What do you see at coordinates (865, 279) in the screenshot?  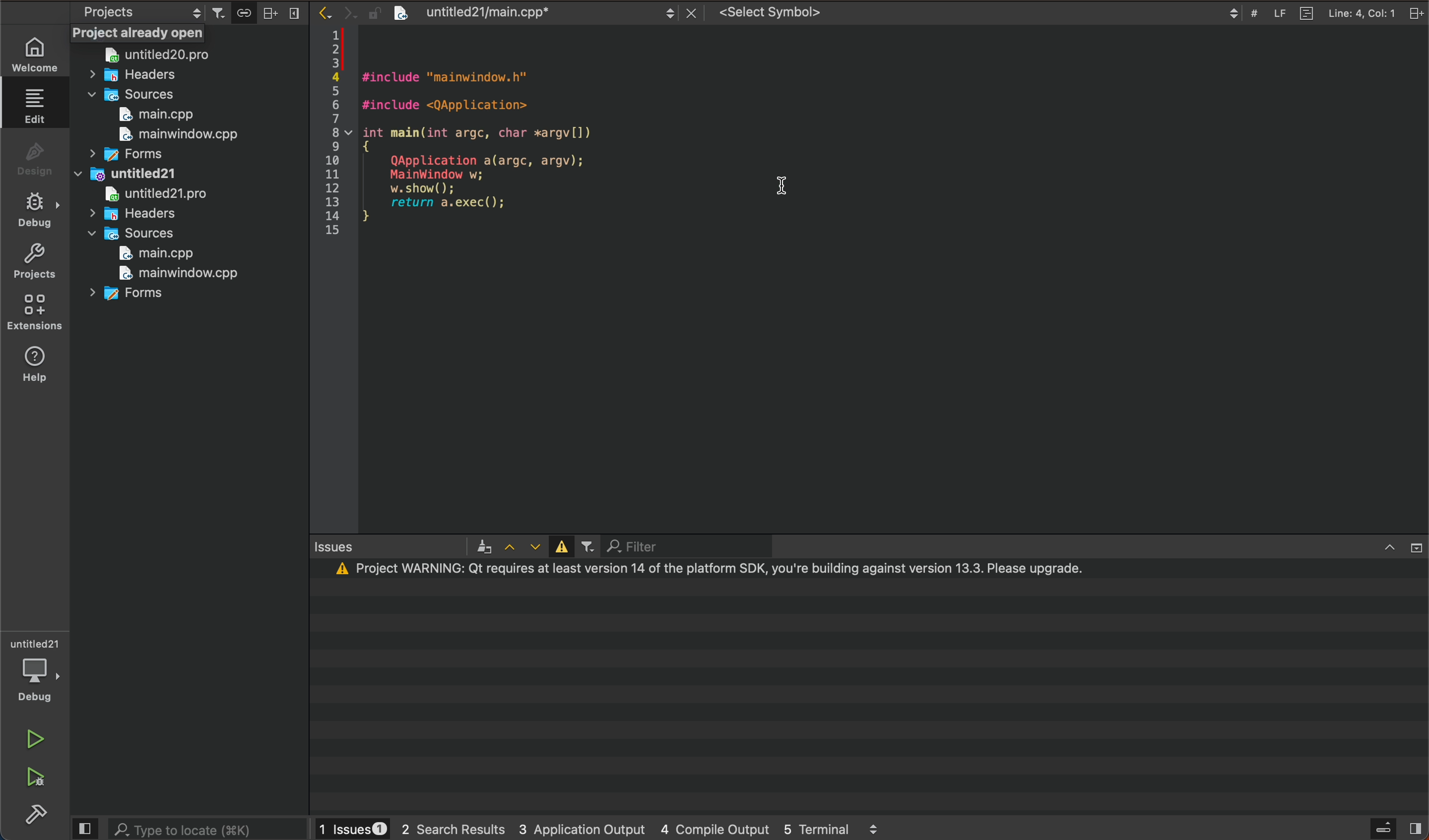 I see `code` at bounding box center [865, 279].